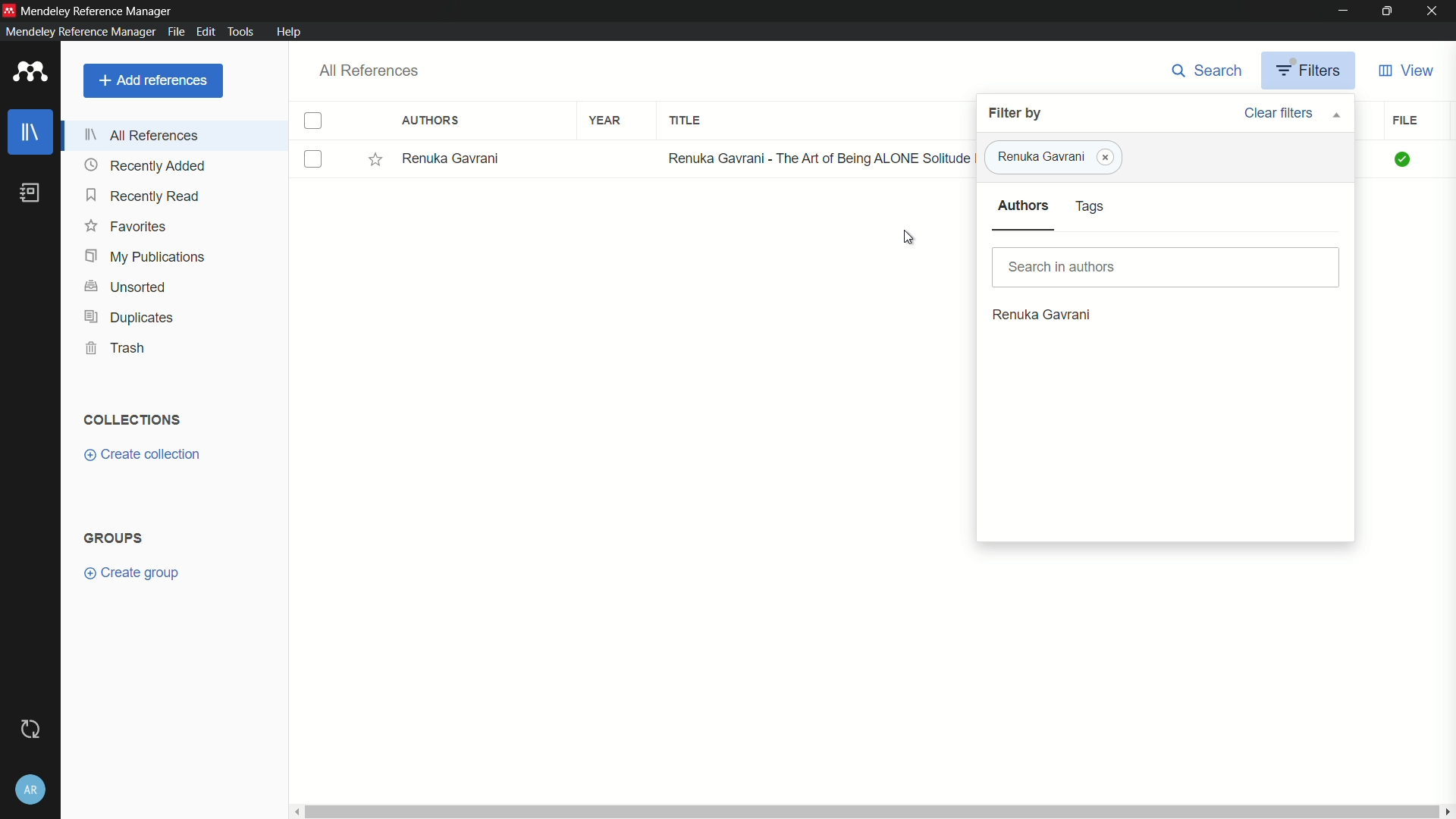 The height and width of the screenshot is (819, 1456). I want to click on recently added, so click(145, 165).